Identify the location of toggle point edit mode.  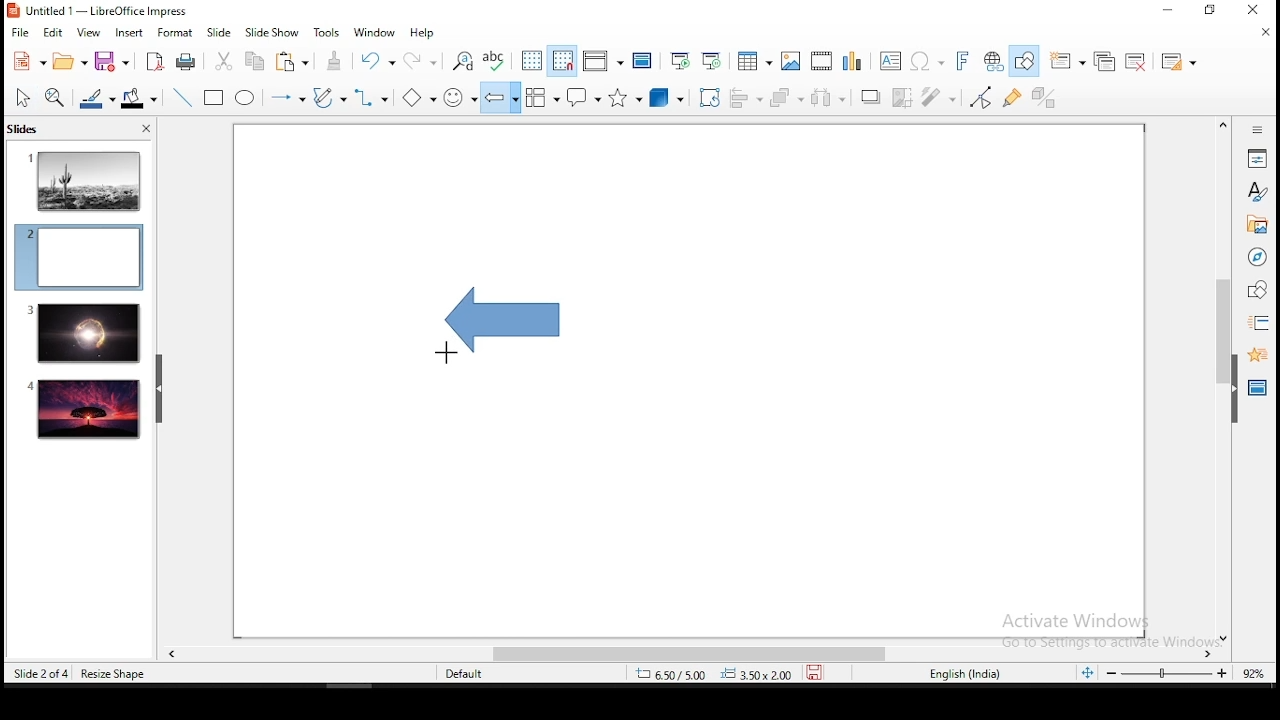
(981, 99).